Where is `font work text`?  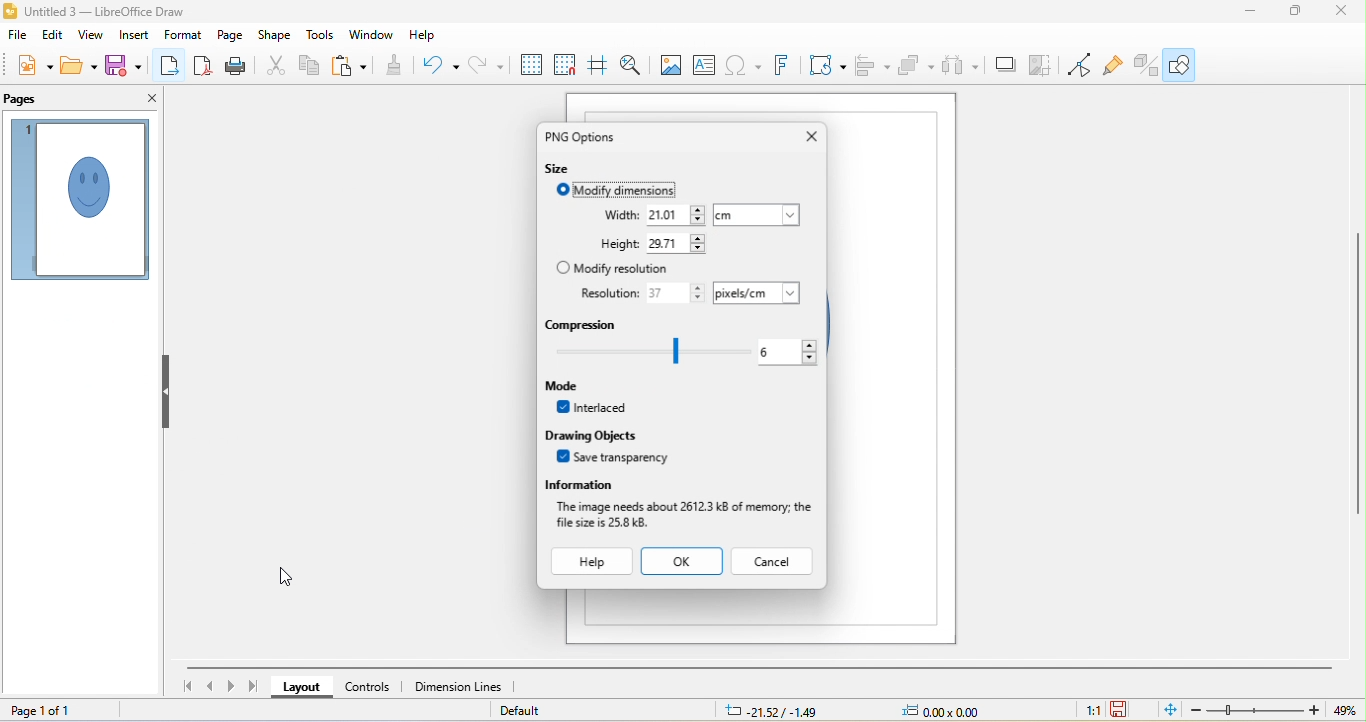 font work text is located at coordinates (781, 67).